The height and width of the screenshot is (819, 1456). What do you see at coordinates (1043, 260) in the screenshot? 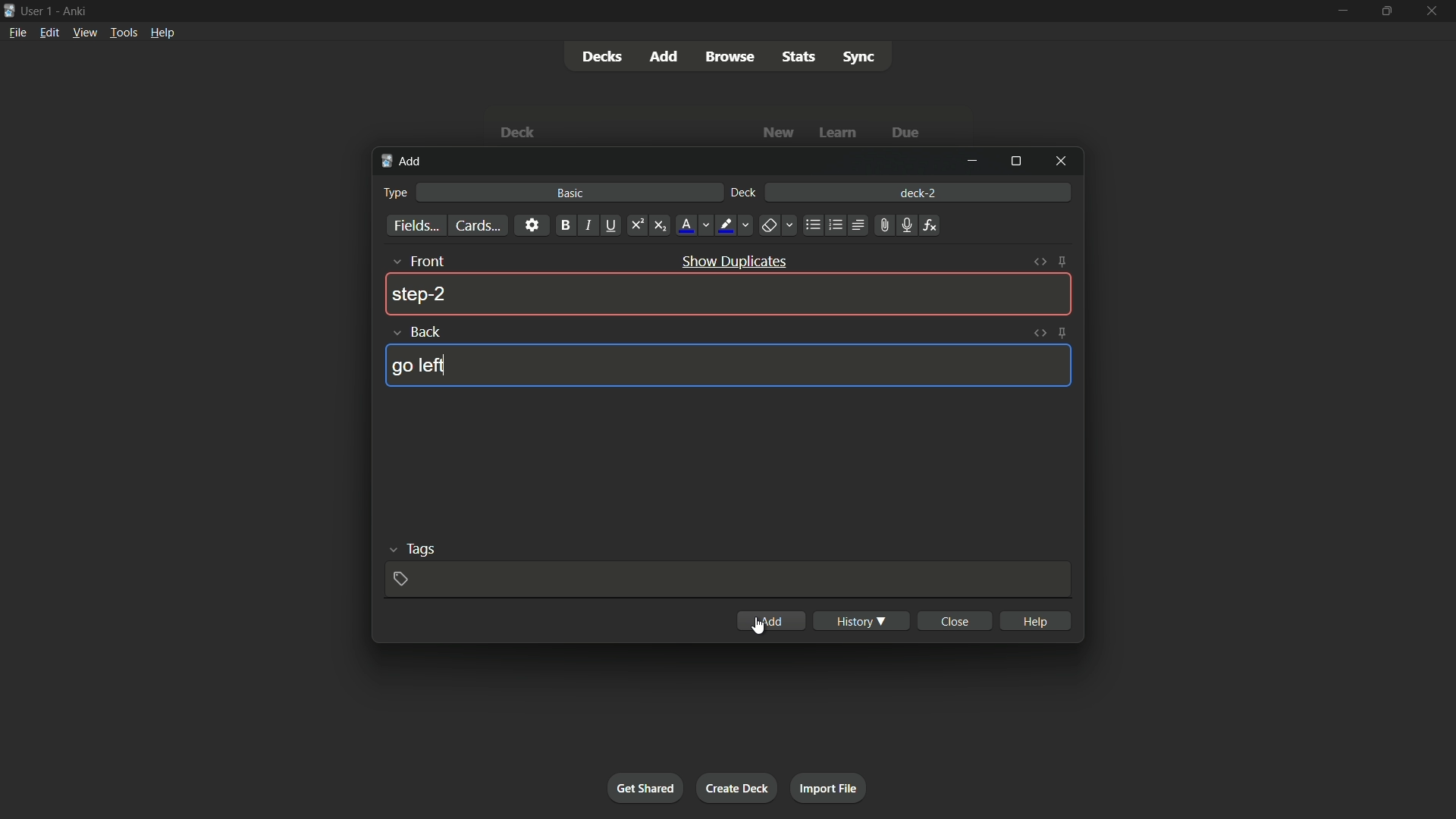
I see `toggle html editor` at bounding box center [1043, 260].